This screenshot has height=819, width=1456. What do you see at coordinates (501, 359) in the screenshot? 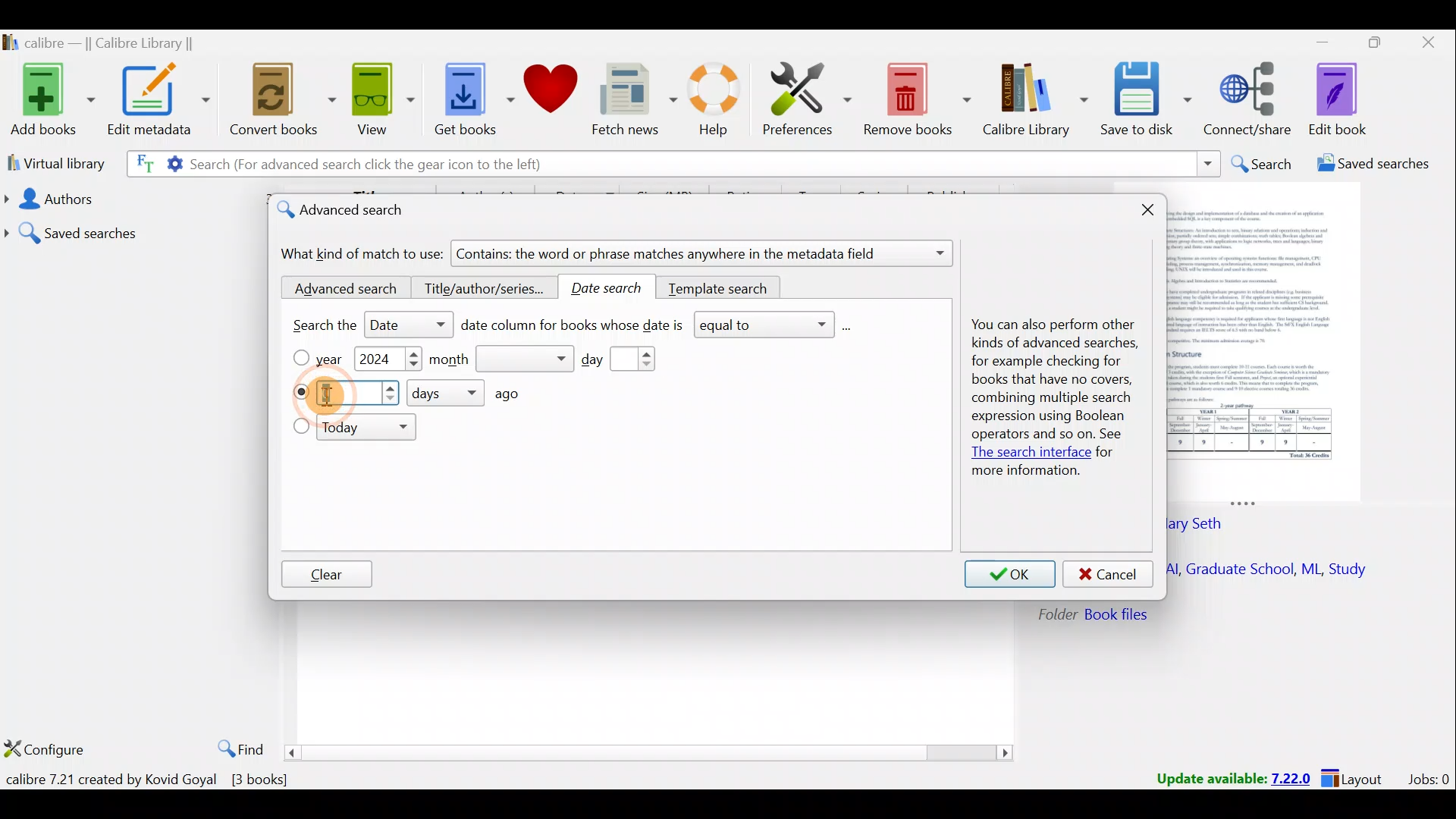
I see `Month` at bounding box center [501, 359].